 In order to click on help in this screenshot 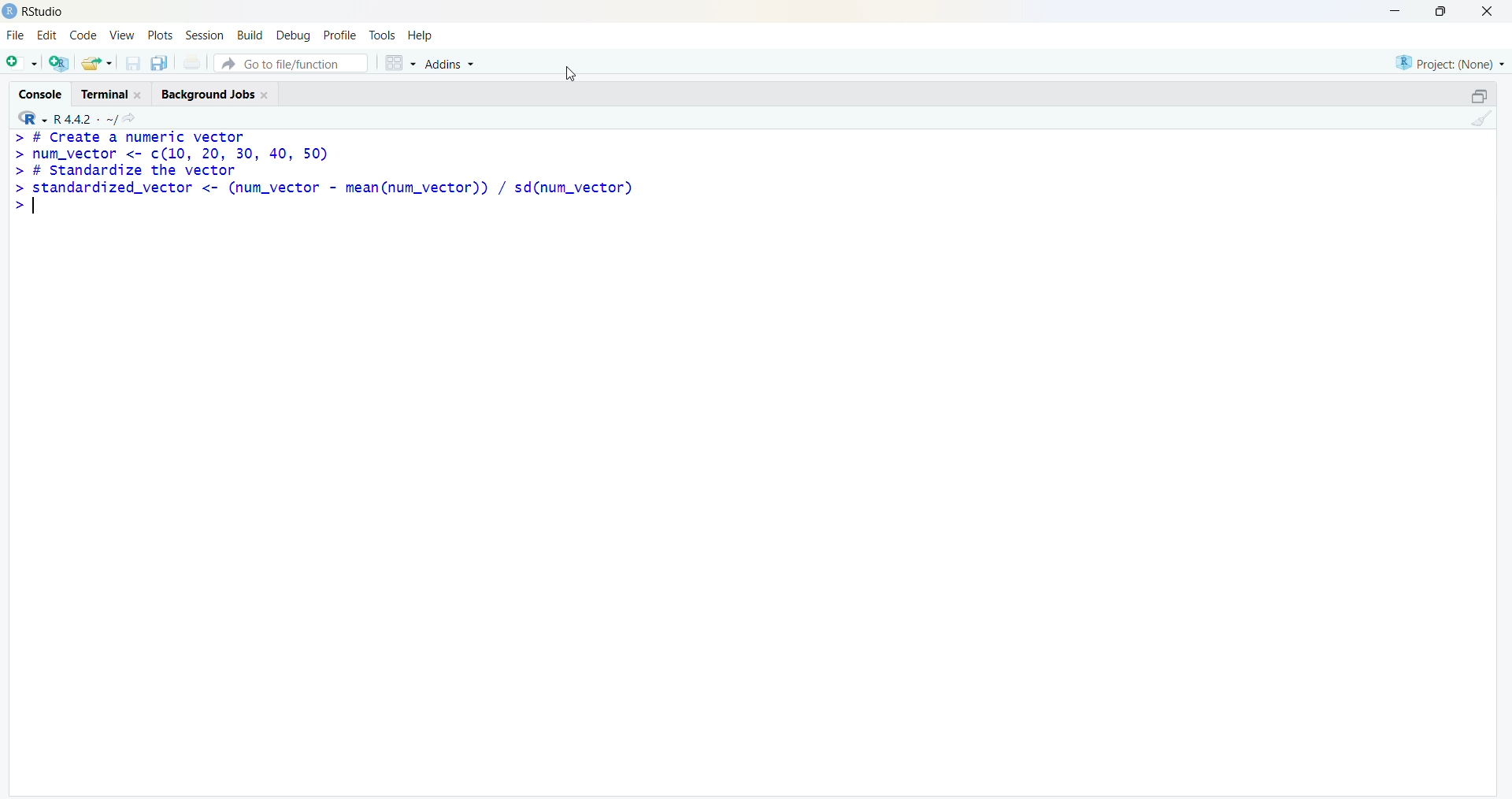, I will do `click(421, 36)`.